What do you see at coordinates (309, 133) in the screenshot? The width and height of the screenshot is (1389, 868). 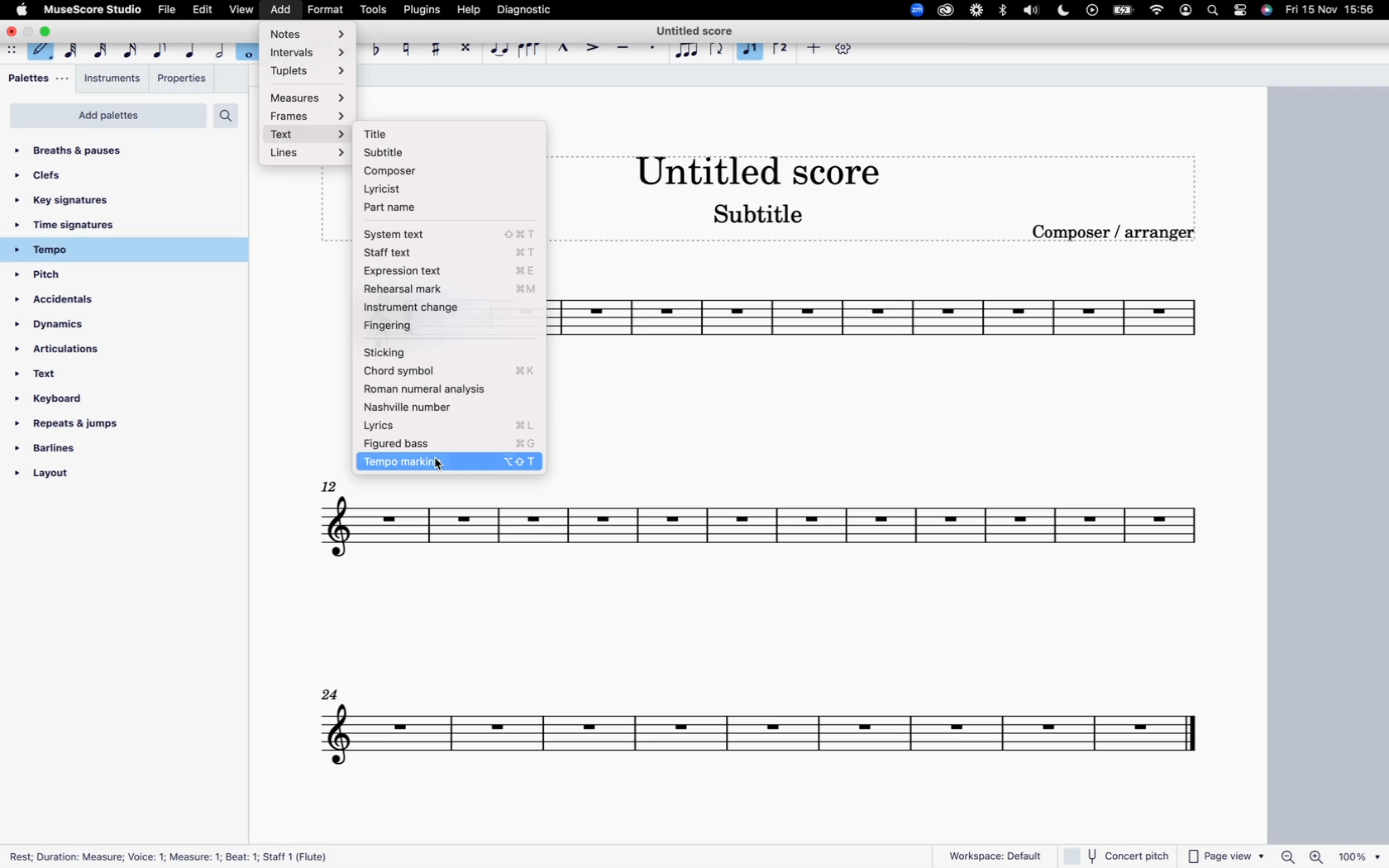 I see `text` at bounding box center [309, 133].